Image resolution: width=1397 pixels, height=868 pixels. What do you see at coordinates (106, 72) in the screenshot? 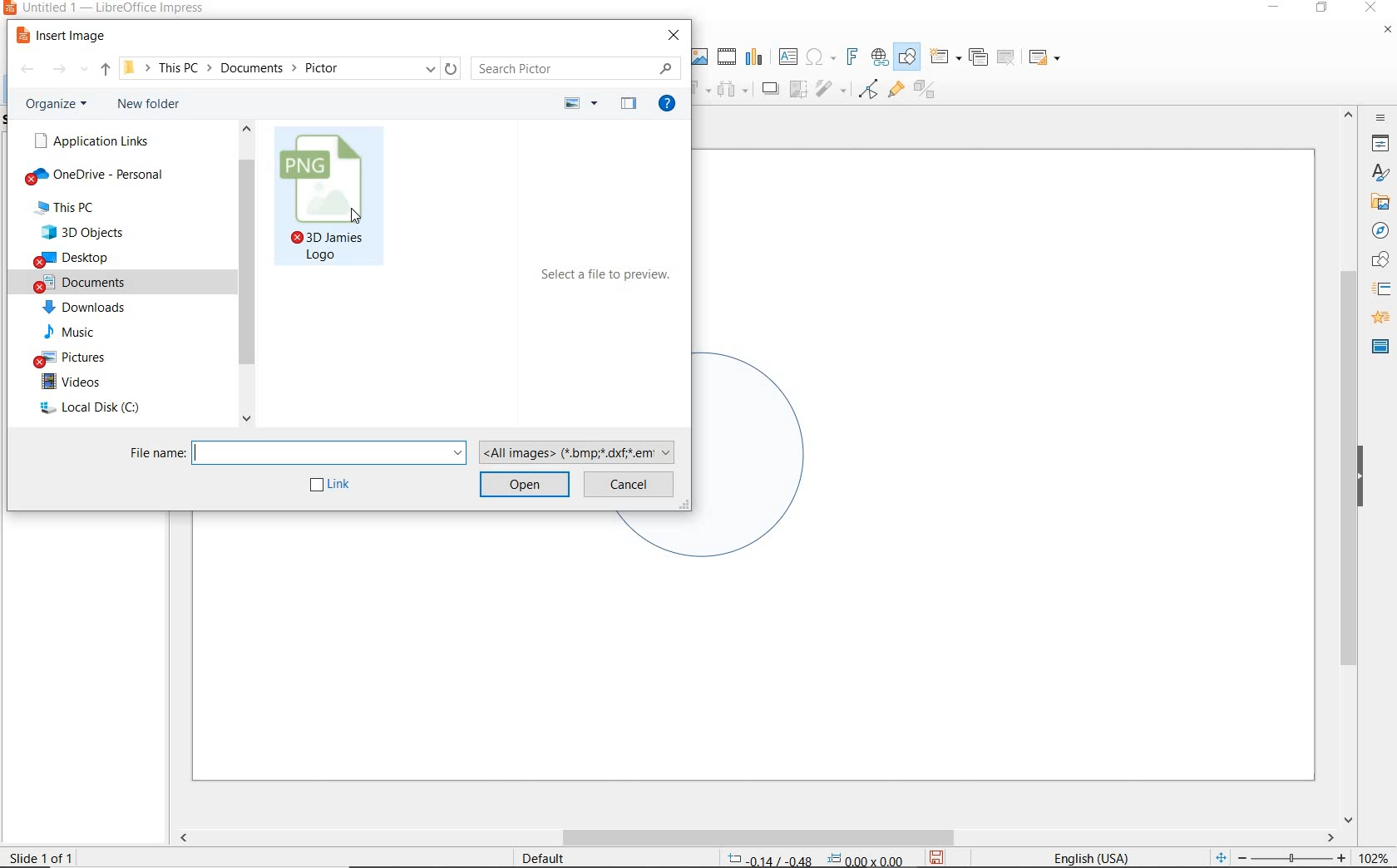
I see `up` at bounding box center [106, 72].